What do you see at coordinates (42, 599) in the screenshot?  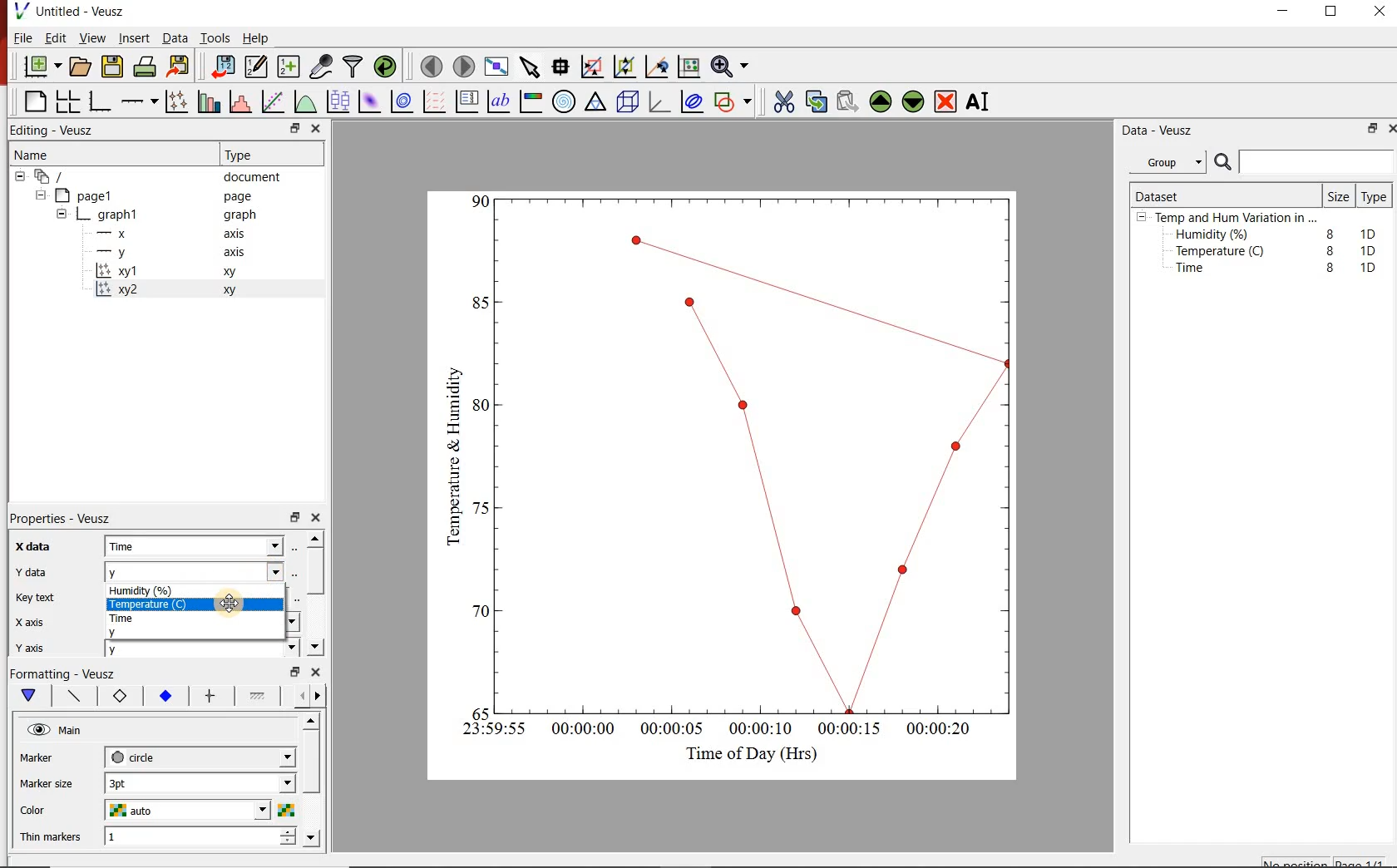 I see `Key text` at bounding box center [42, 599].